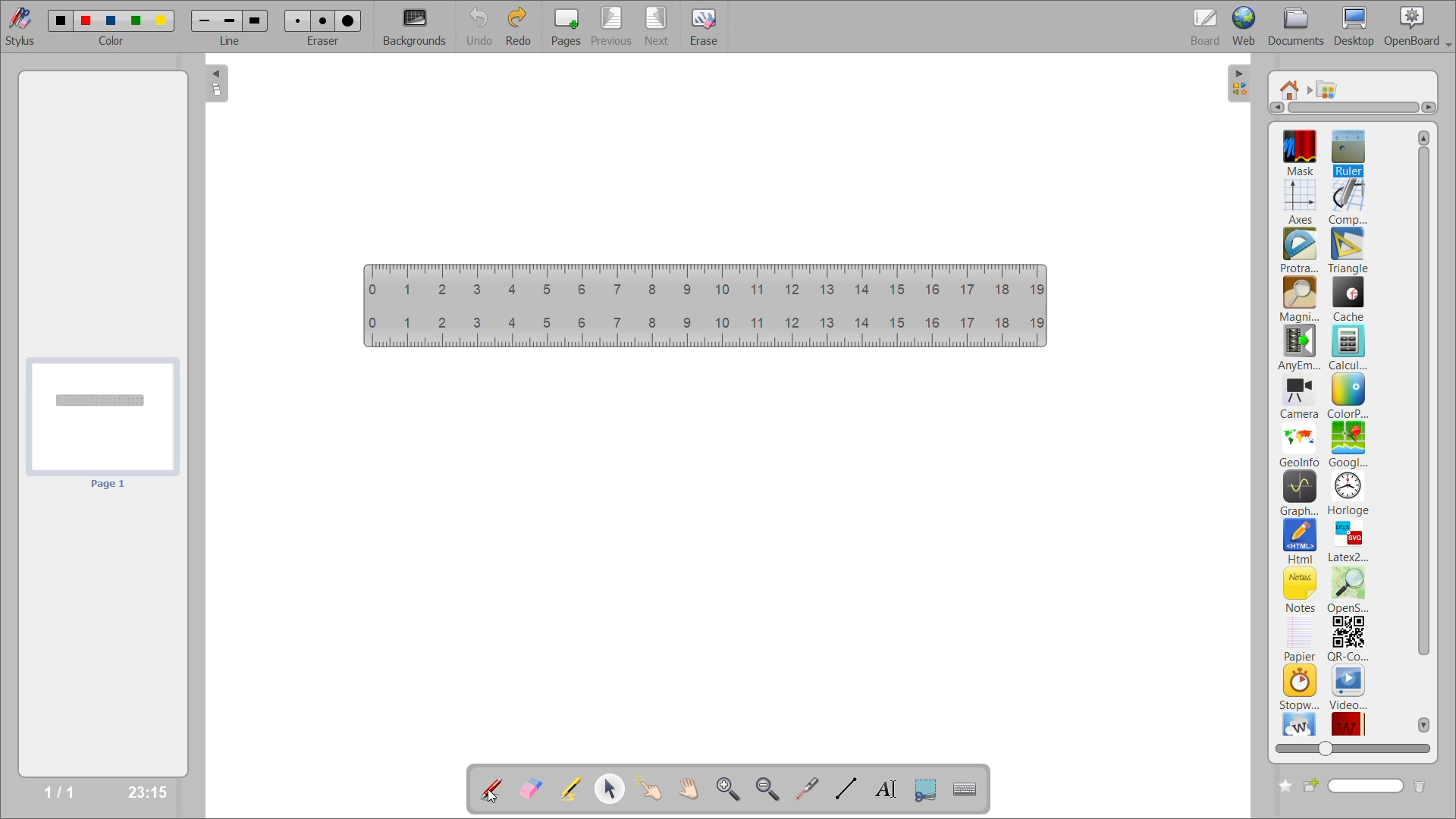  Describe the element at coordinates (659, 24) in the screenshot. I see `next` at that location.